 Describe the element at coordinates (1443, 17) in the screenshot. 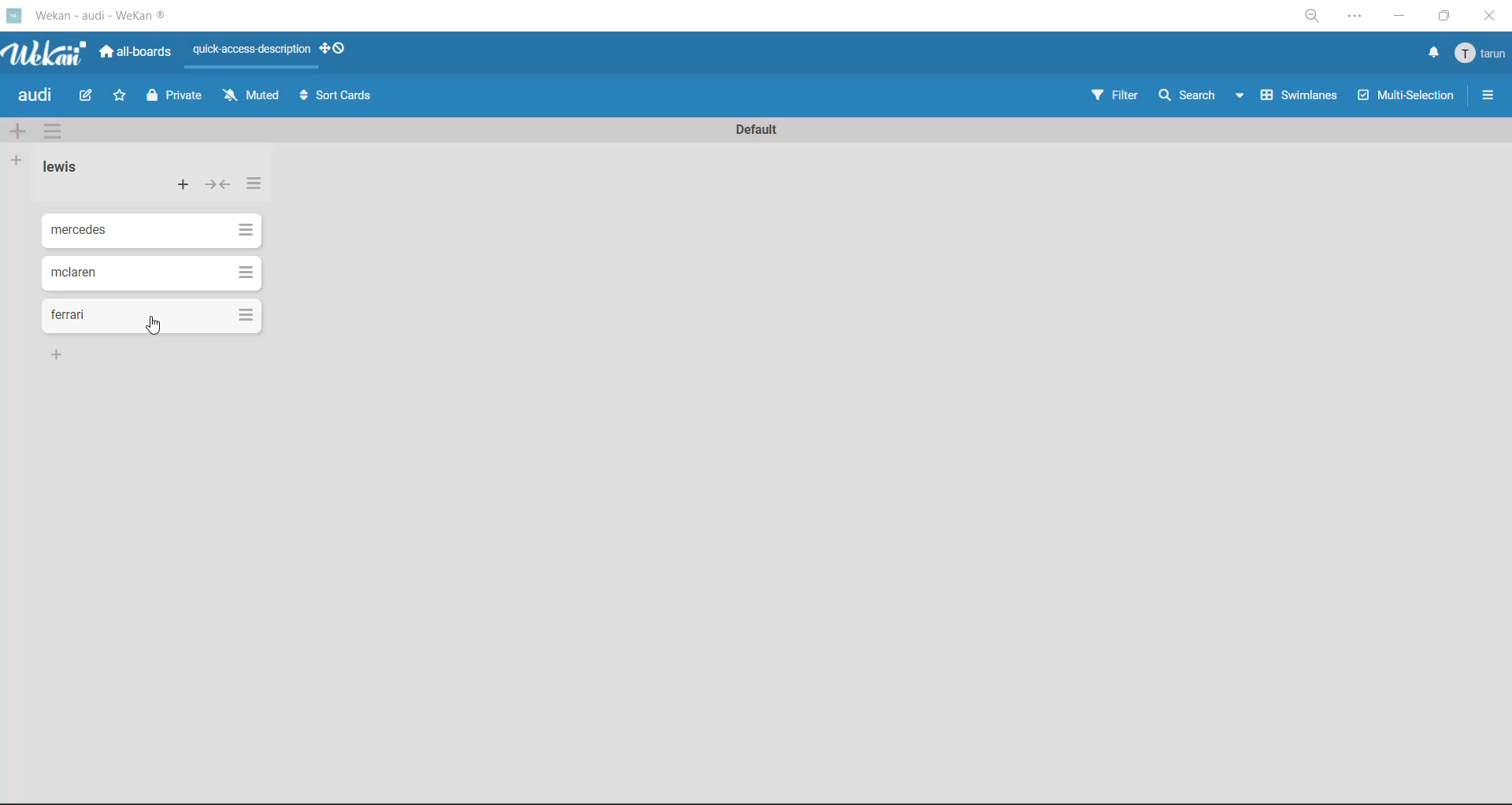

I see `maximize` at that location.